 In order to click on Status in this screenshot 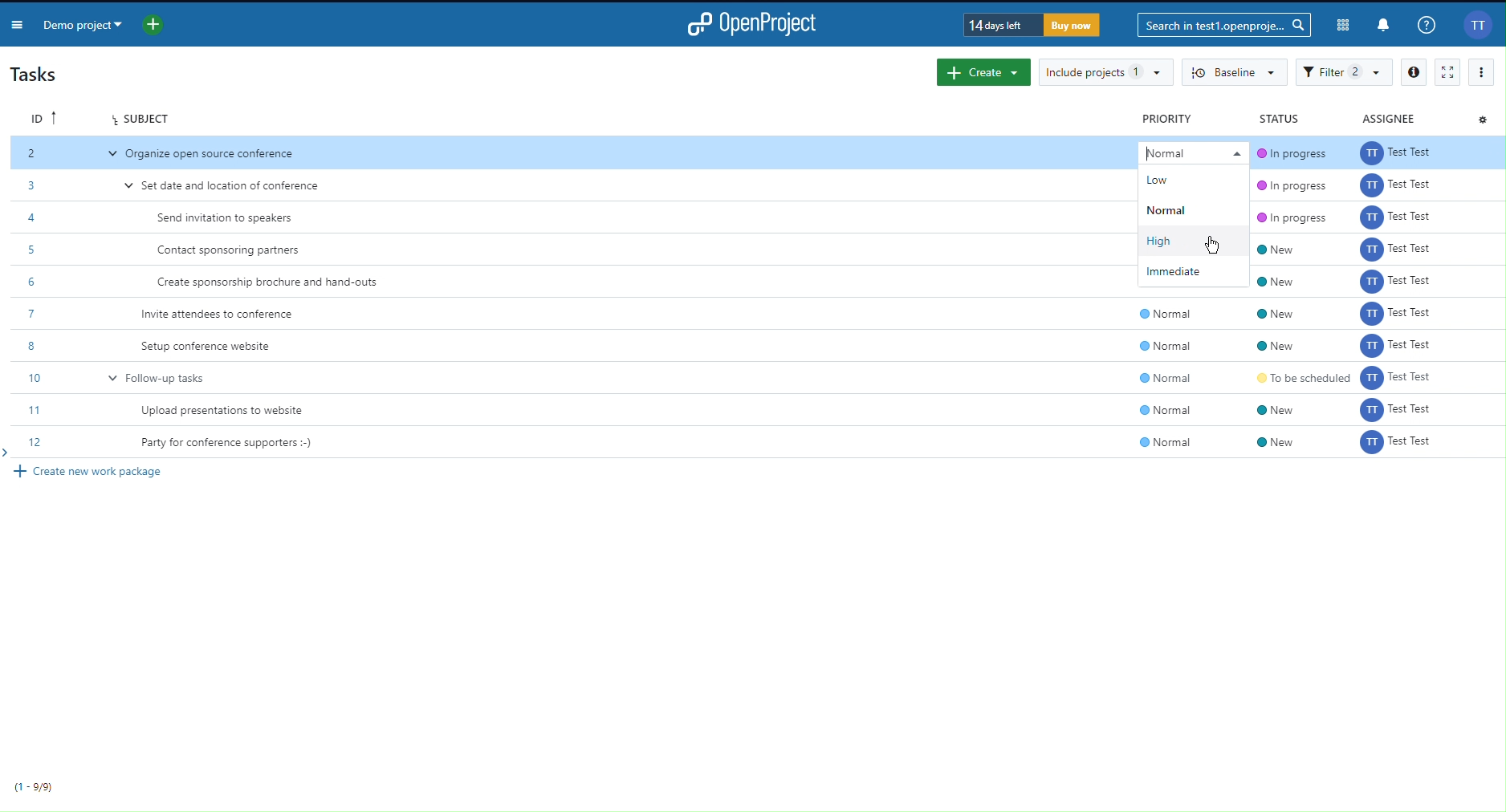, I will do `click(1278, 117)`.